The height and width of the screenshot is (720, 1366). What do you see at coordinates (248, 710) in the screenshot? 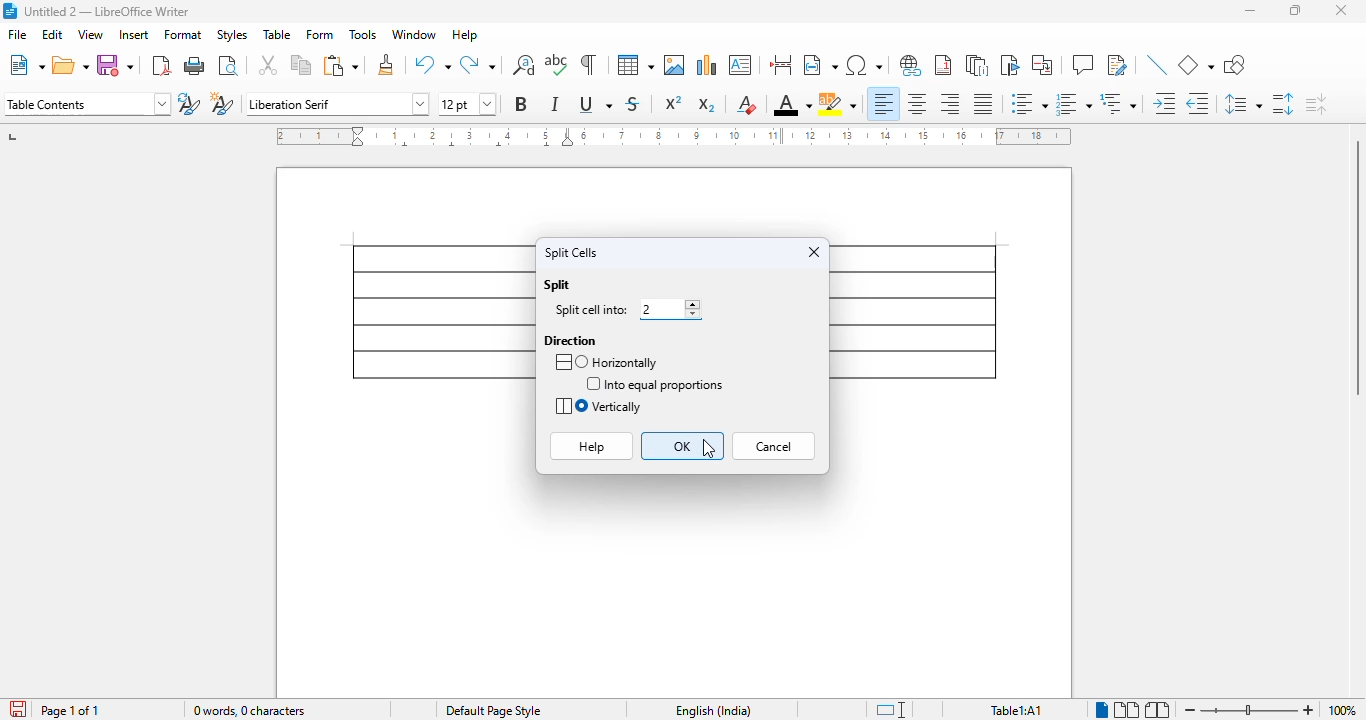
I see `0 words, 0 characters` at bounding box center [248, 710].